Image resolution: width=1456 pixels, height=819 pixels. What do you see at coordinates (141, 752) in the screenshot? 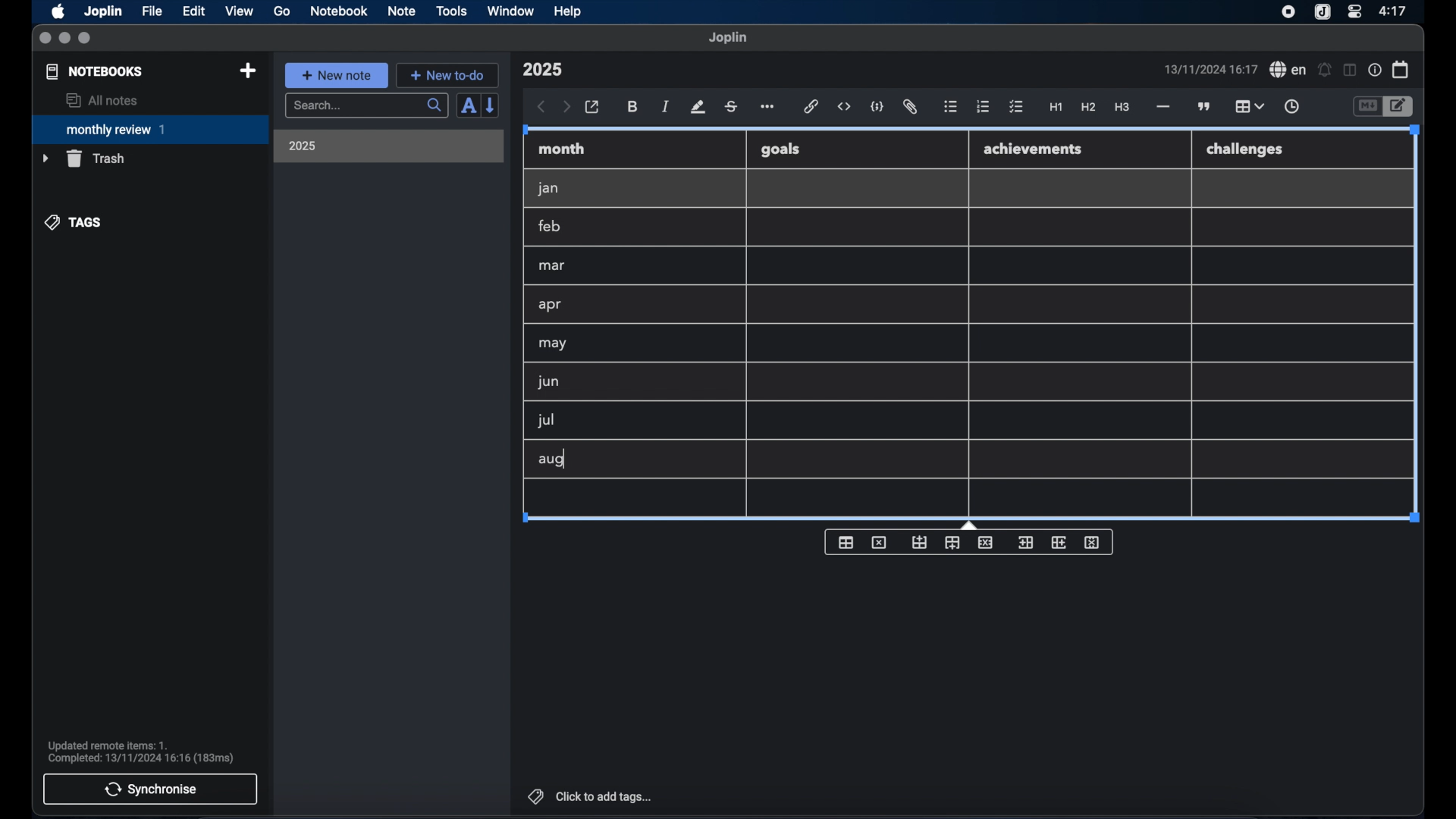
I see `sync notification` at bounding box center [141, 752].